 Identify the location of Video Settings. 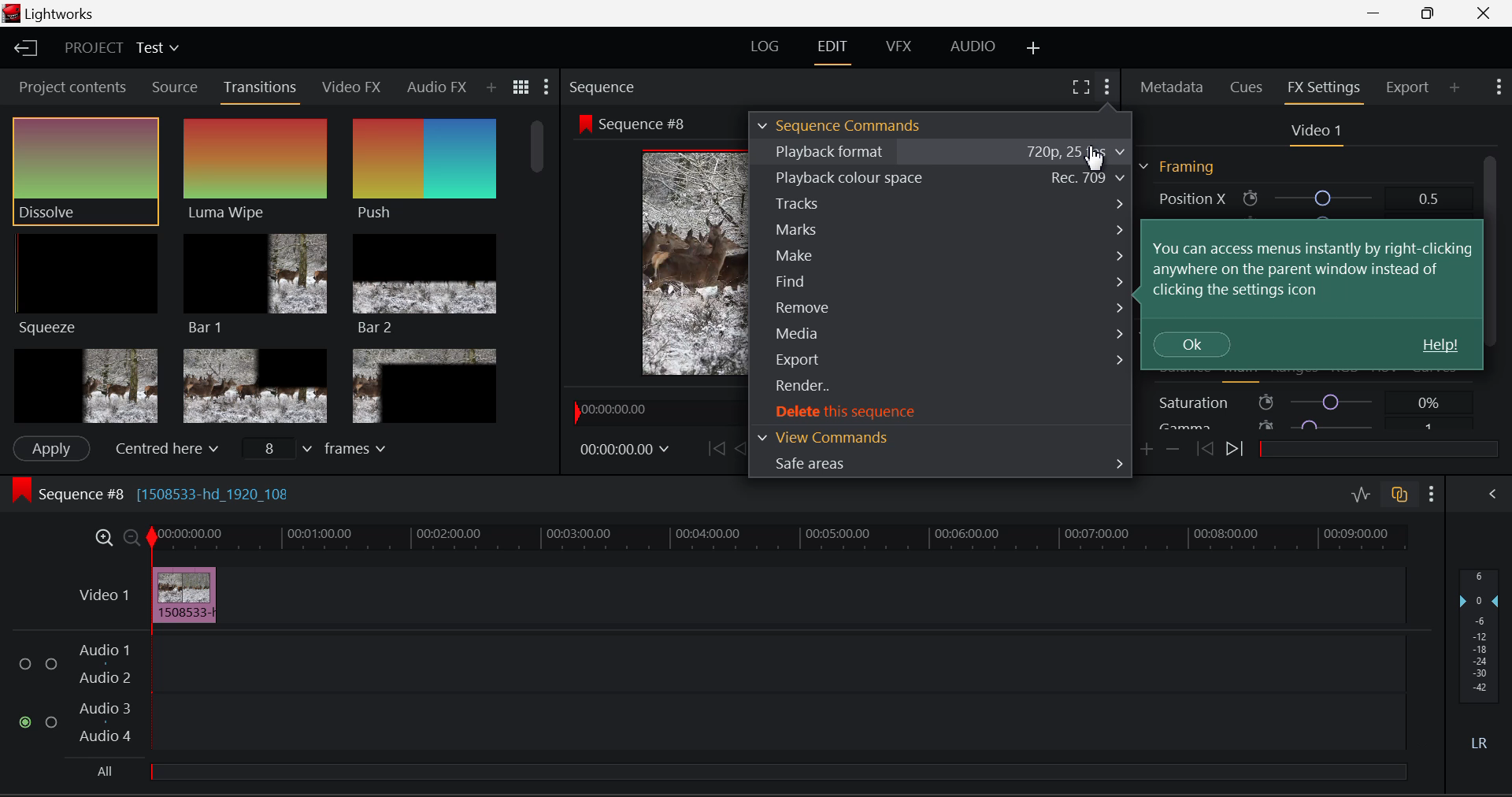
(1317, 132).